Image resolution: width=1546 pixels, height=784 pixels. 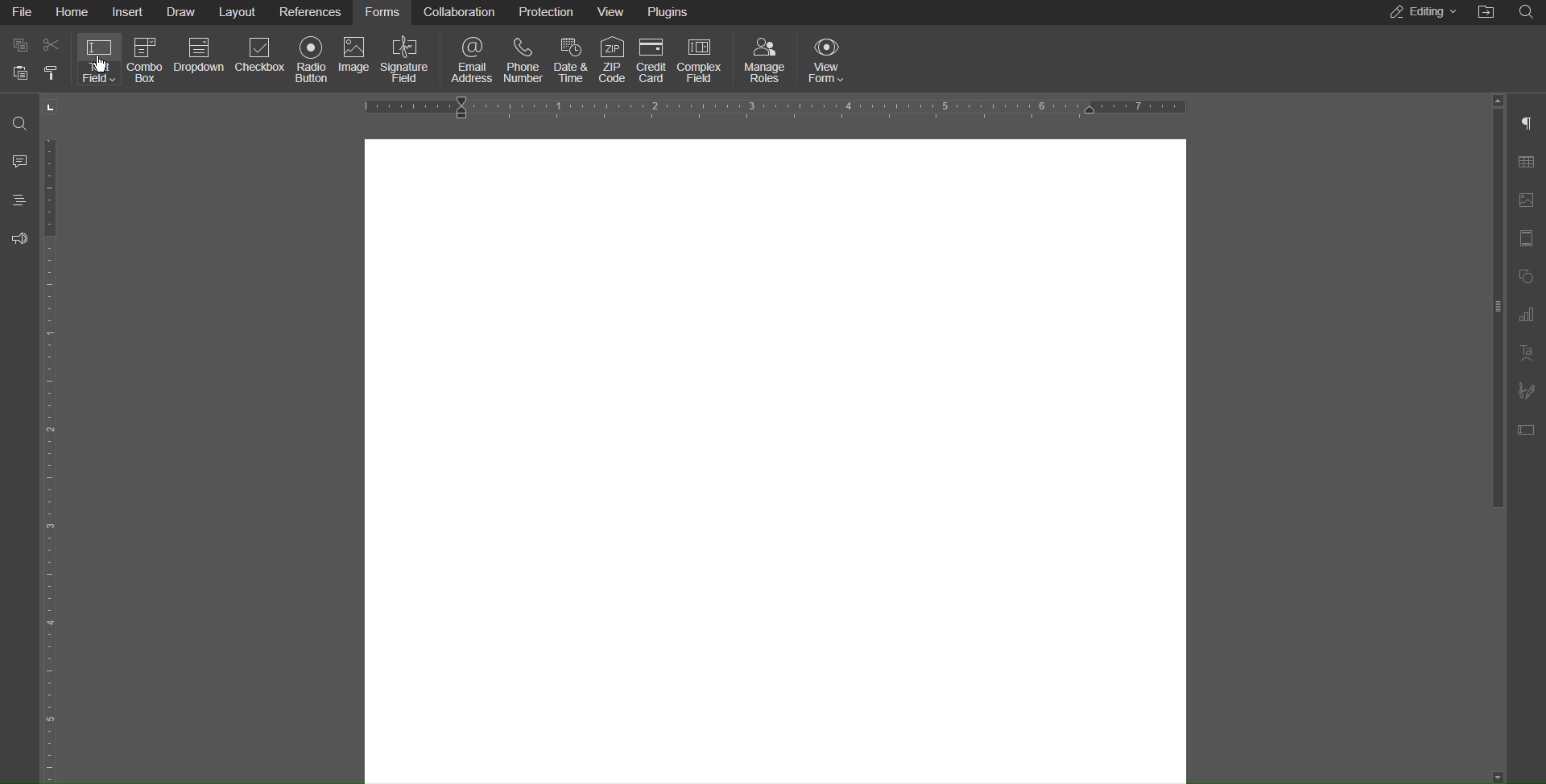 I want to click on Combo Box, so click(x=146, y=60).